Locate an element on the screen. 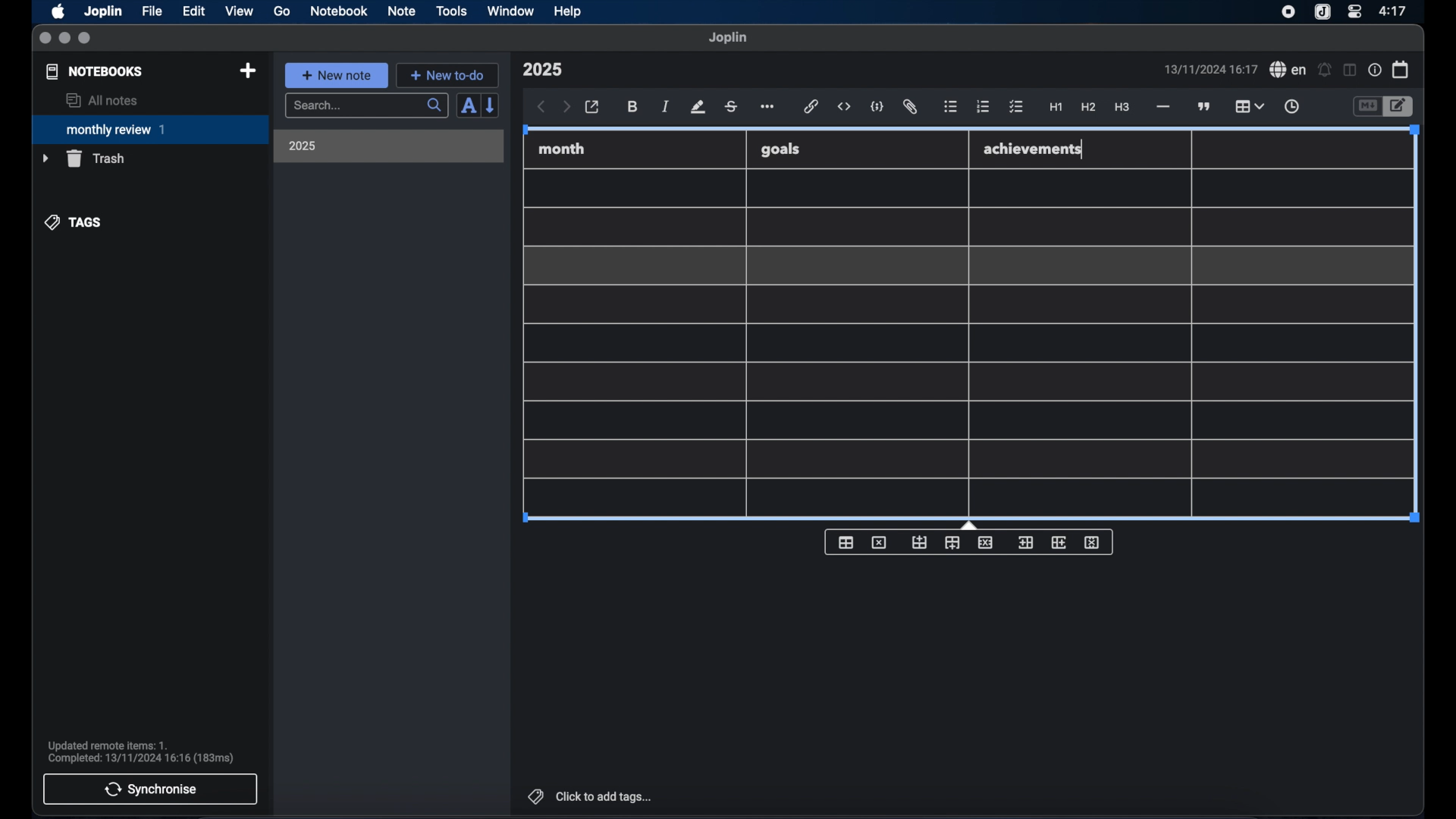 The image size is (1456, 819). new to-do is located at coordinates (448, 75).